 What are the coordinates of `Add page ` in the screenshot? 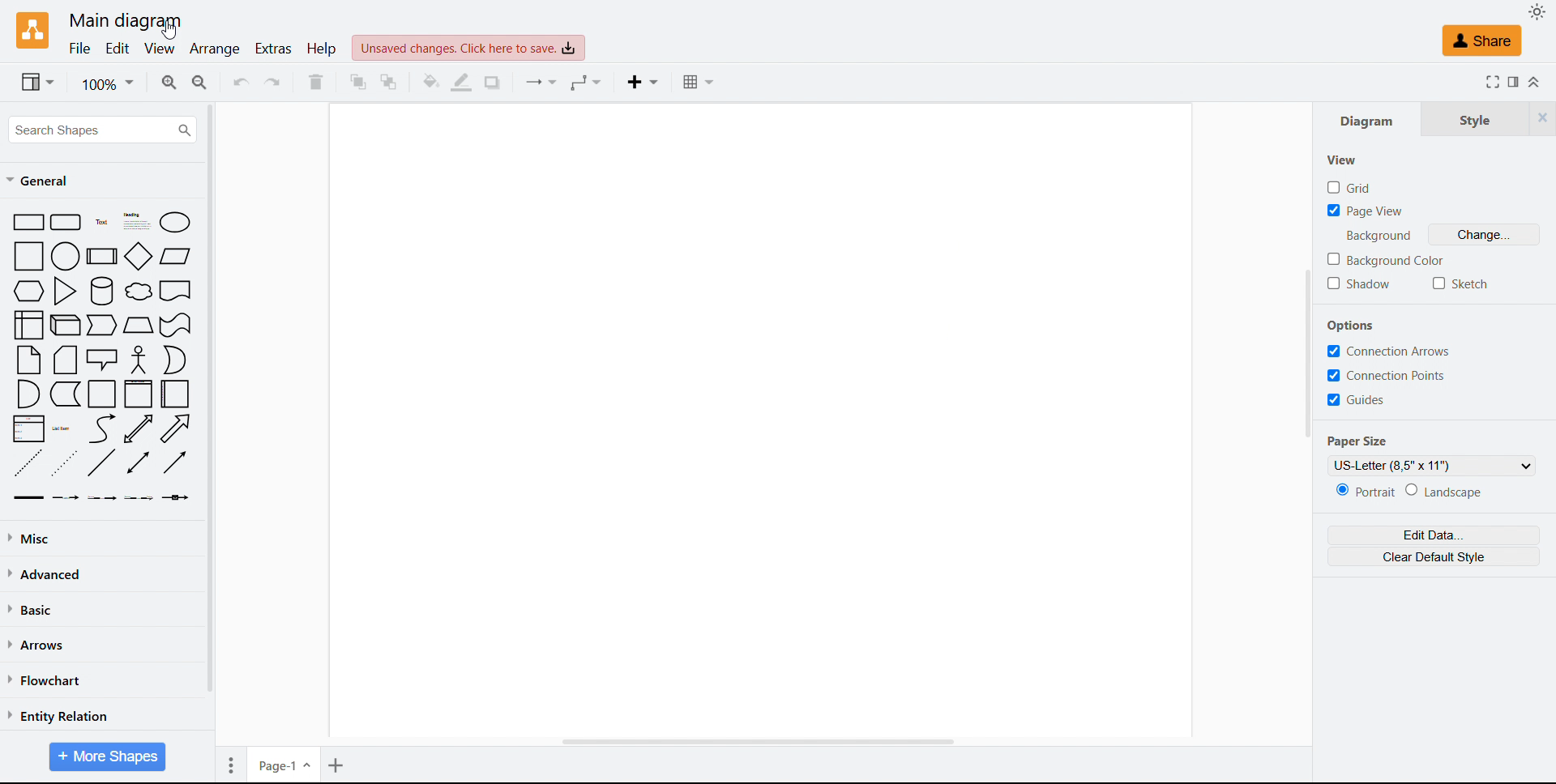 It's located at (337, 765).